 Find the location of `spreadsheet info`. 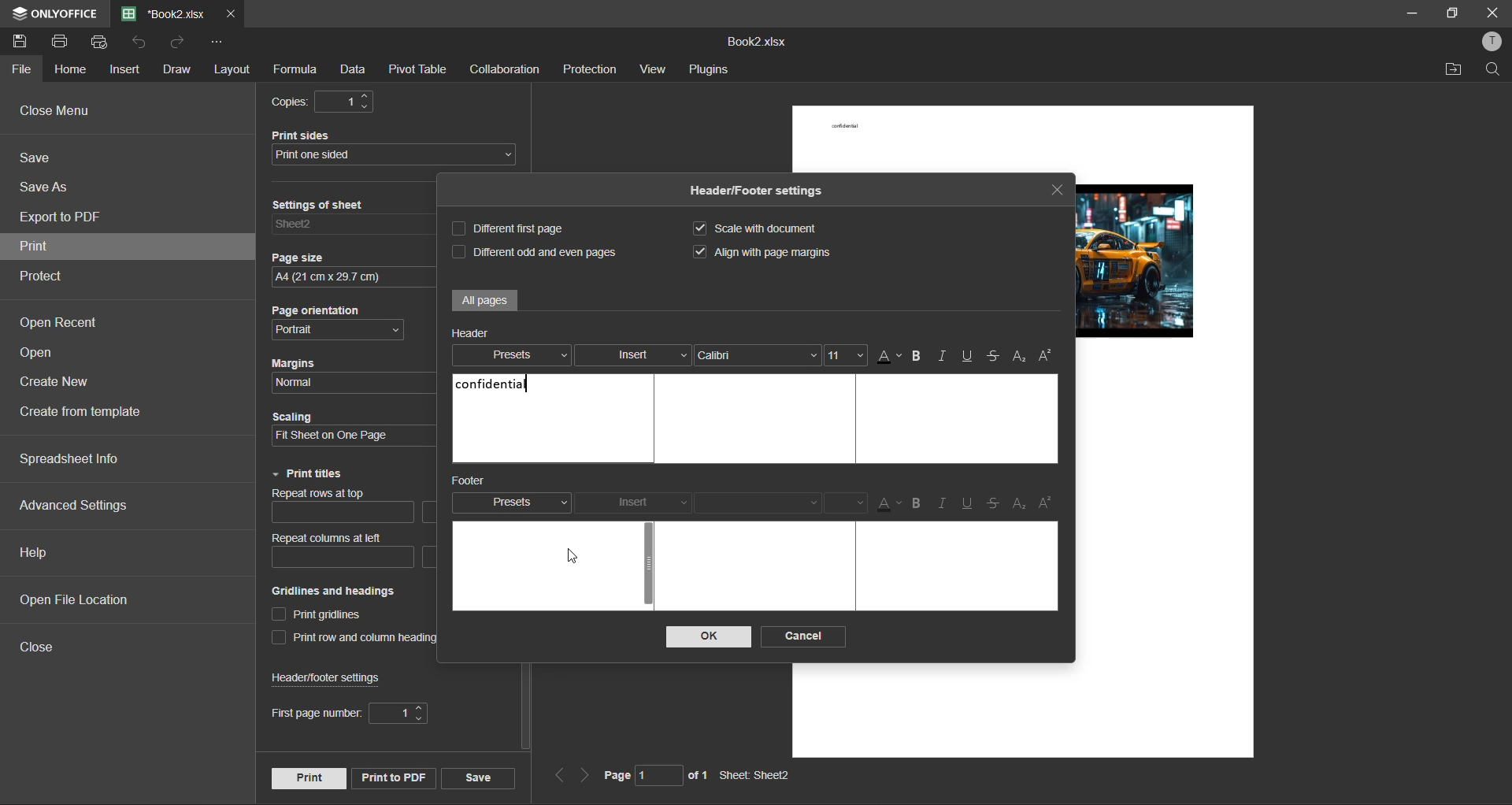

spreadsheet info is located at coordinates (71, 458).